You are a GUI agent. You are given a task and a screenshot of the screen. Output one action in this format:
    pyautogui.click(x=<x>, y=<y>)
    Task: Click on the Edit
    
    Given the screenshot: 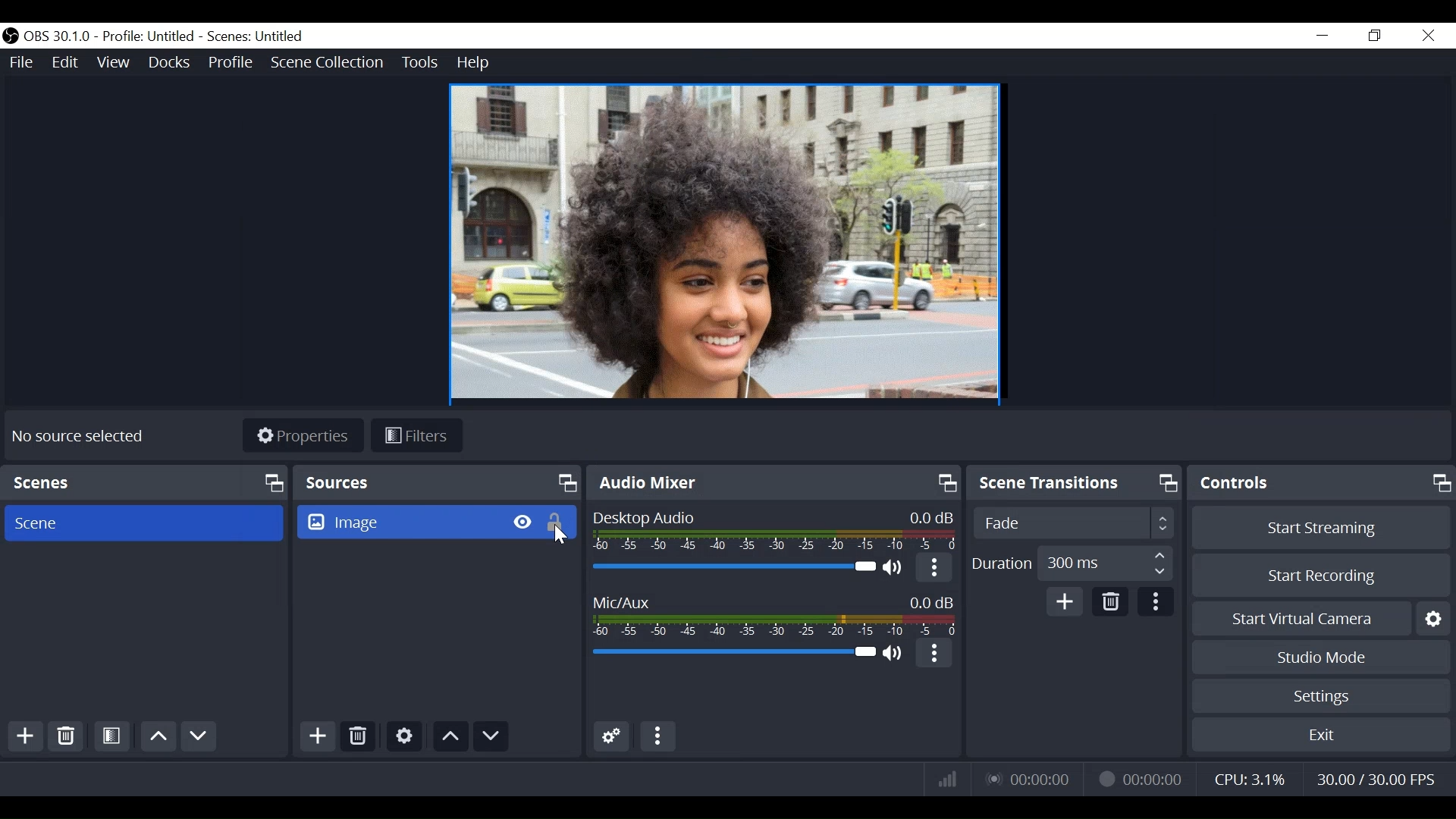 What is the action you would take?
    pyautogui.click(x=69, y=61)
    